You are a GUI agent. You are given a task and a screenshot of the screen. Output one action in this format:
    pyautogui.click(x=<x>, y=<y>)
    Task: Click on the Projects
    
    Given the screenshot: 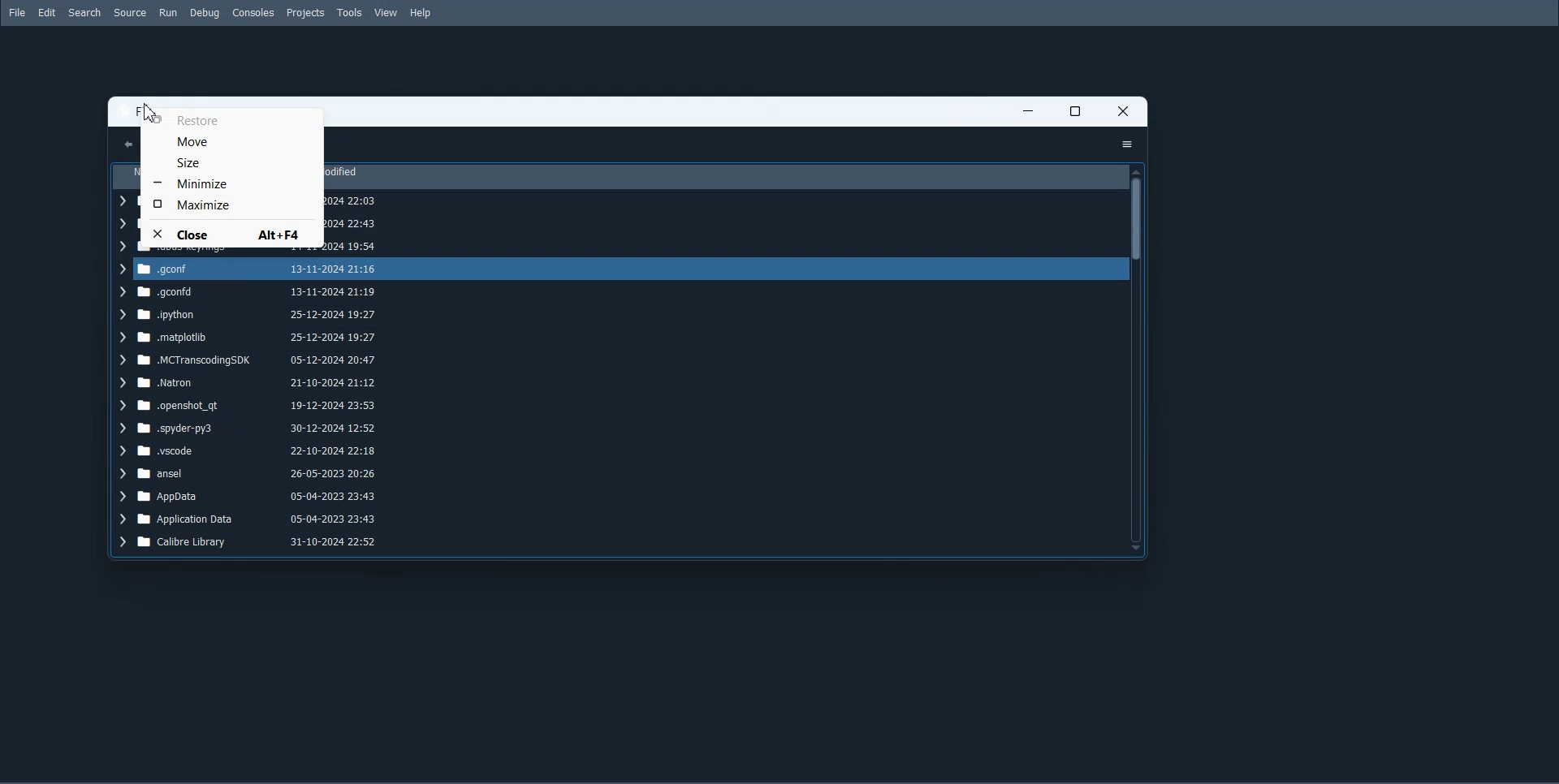 What is the action you would take?
    pyautogui.click(x=305, y=12)
    